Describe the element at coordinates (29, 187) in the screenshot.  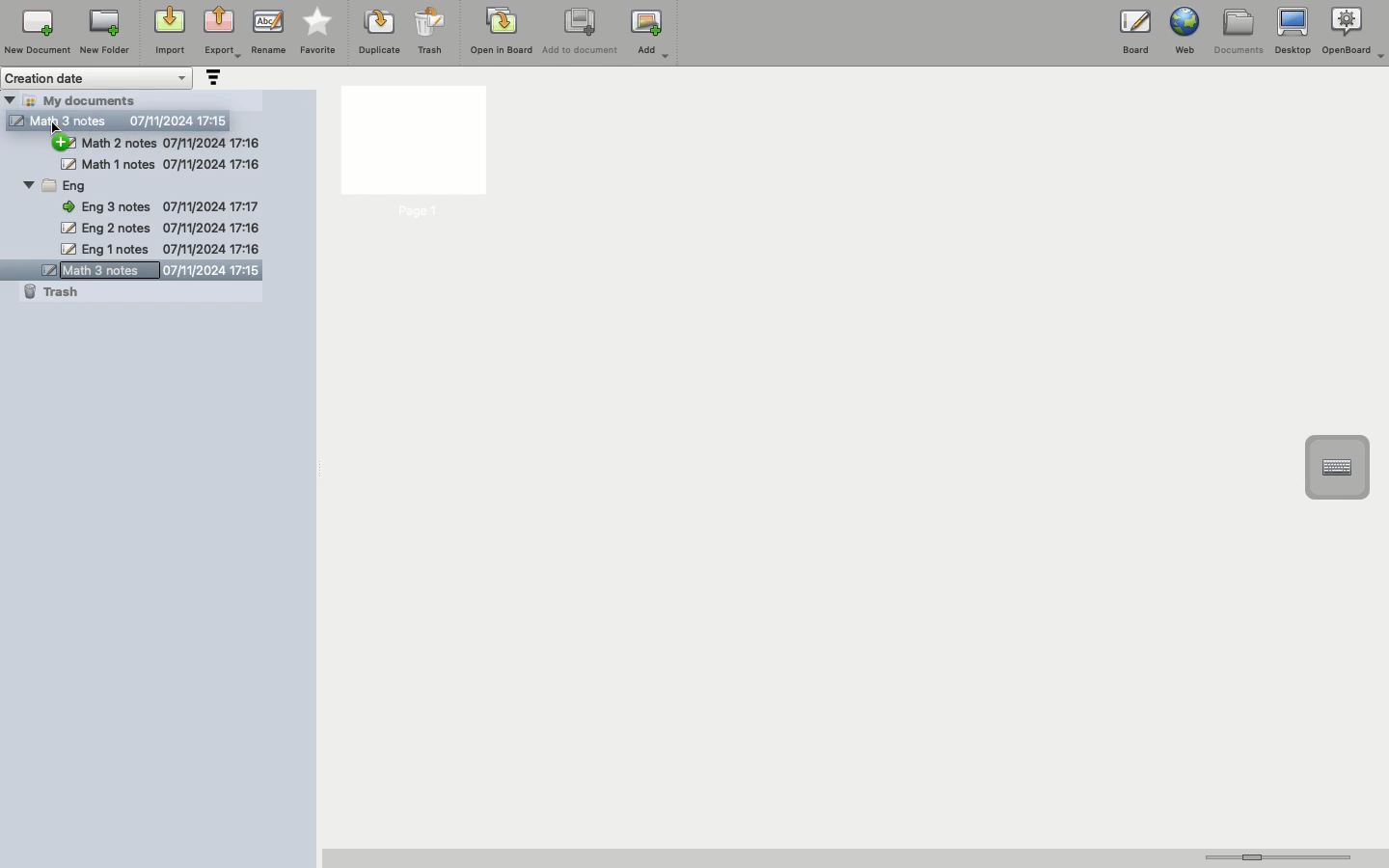
I see `Hide` at that location.